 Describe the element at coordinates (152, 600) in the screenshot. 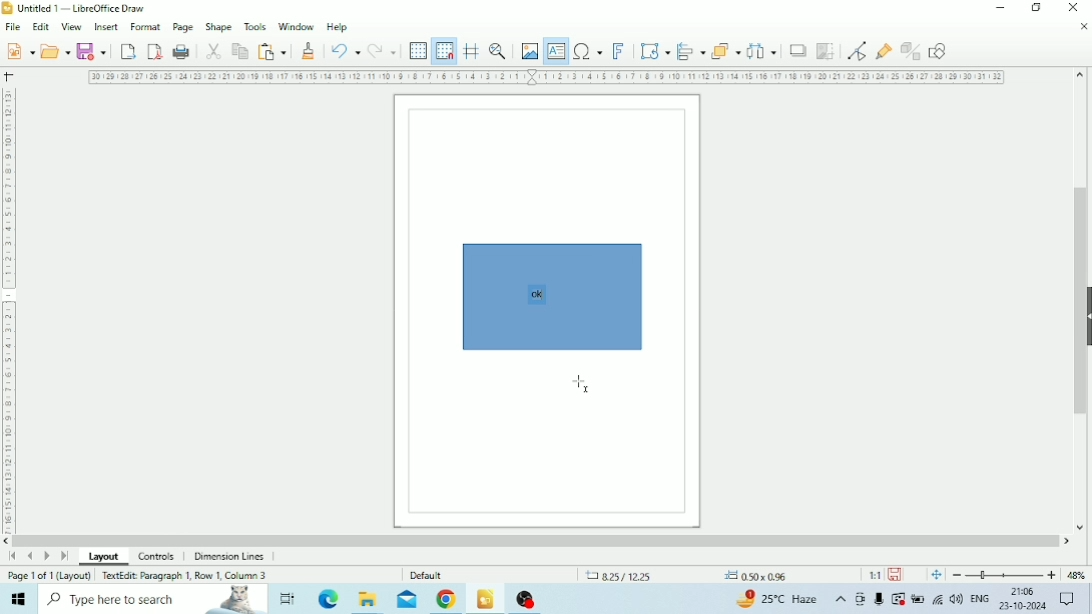

I see `Type here to search` at that location.